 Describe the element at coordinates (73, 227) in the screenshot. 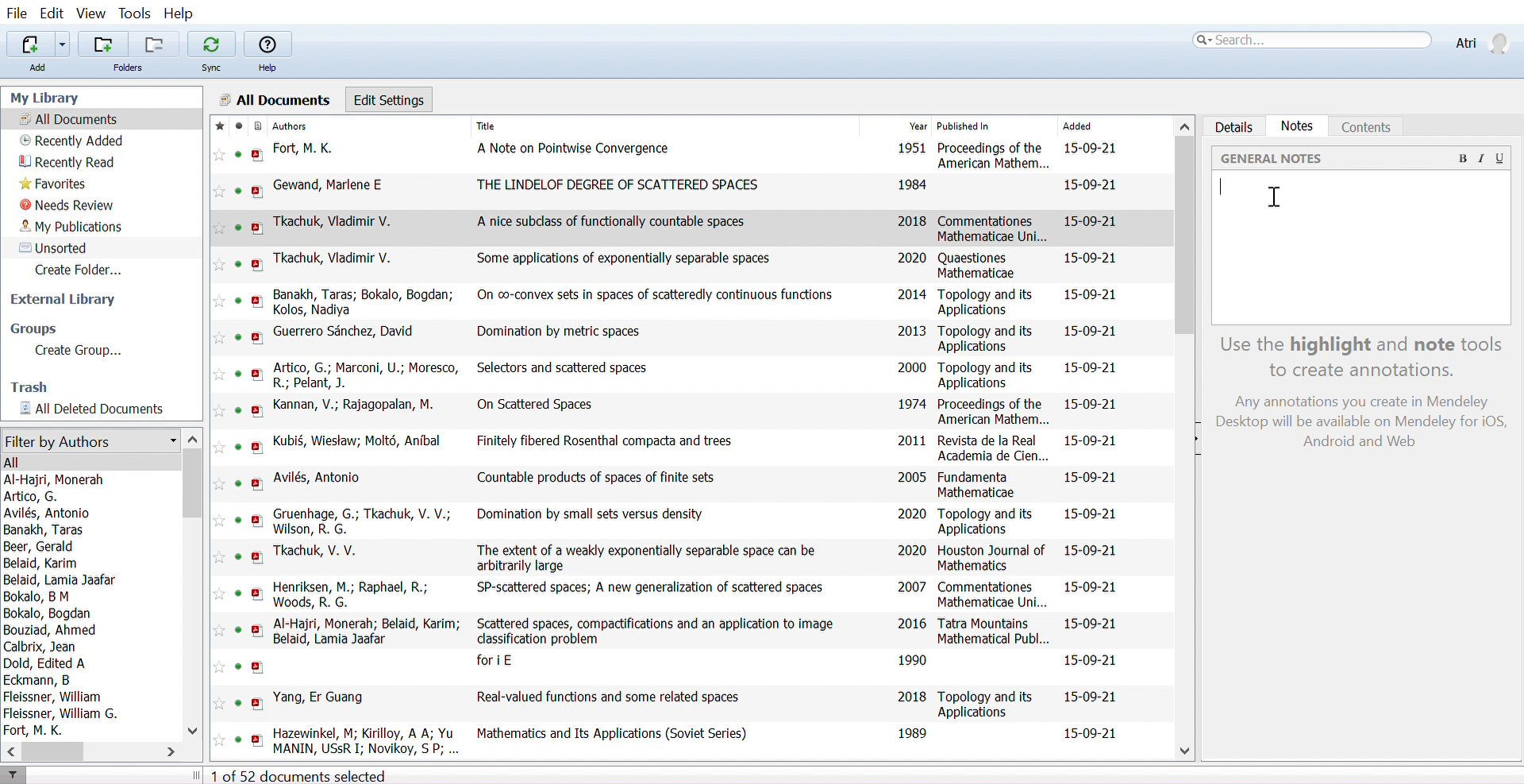

I see `My publications` at that location.